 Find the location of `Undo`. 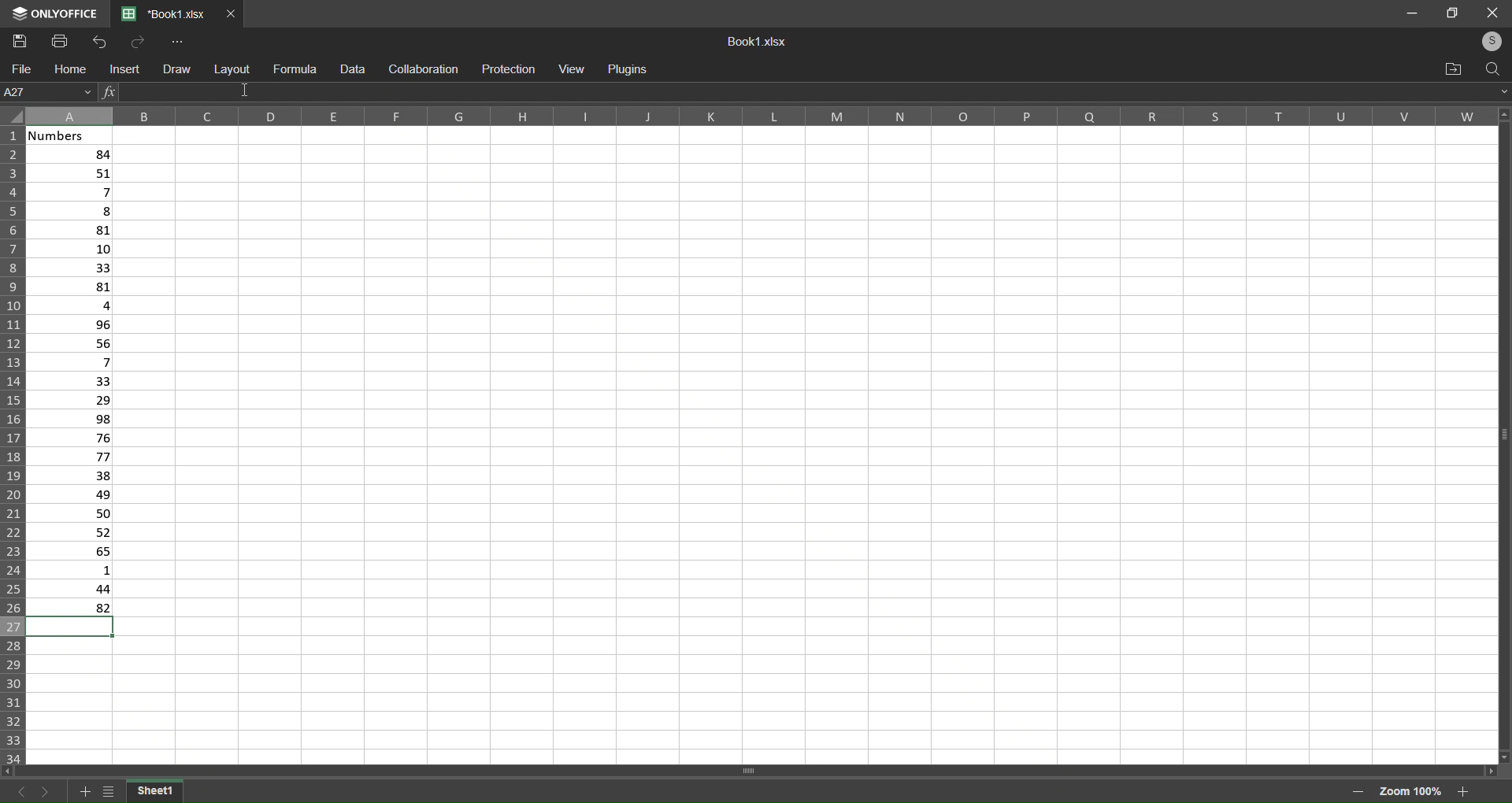

Undo is located at coordinates (98, 43).